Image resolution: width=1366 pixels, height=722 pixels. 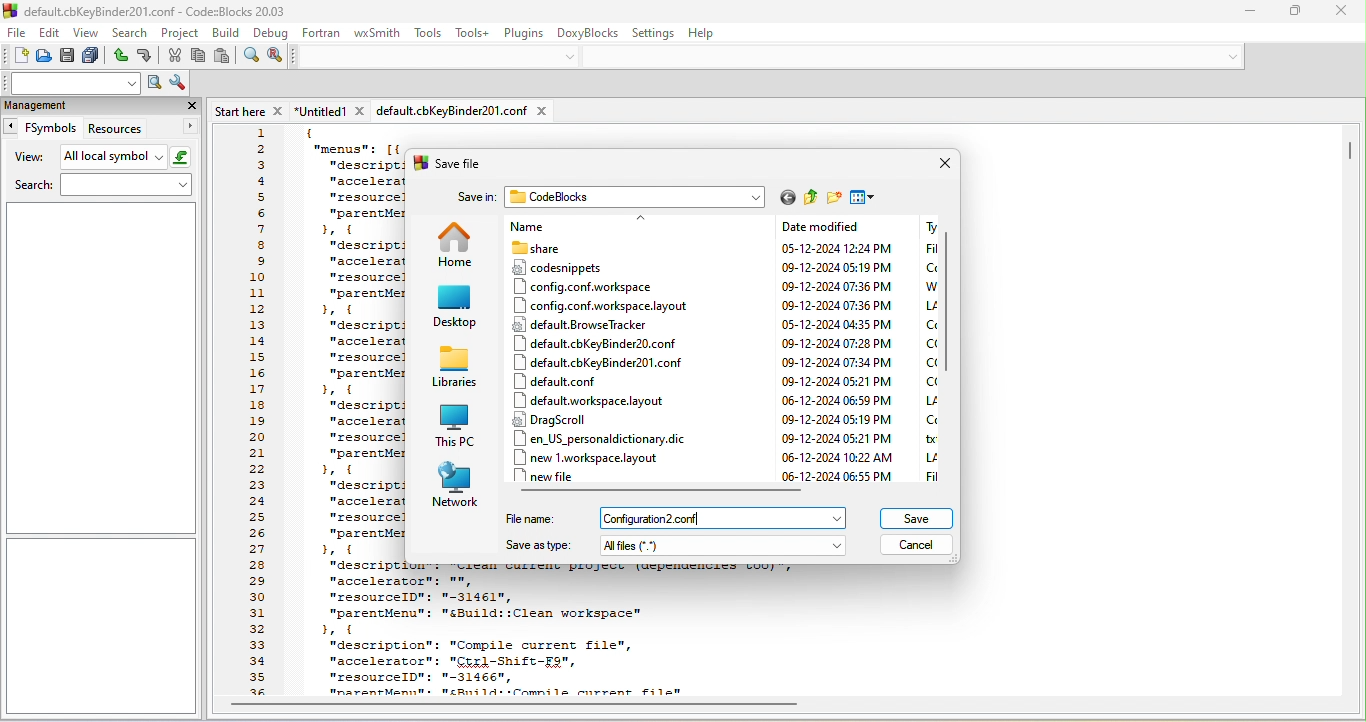 What do you see at coordinates (1341, 13) in the screenshot?
I see `close` at bounding box center [1341, 13].